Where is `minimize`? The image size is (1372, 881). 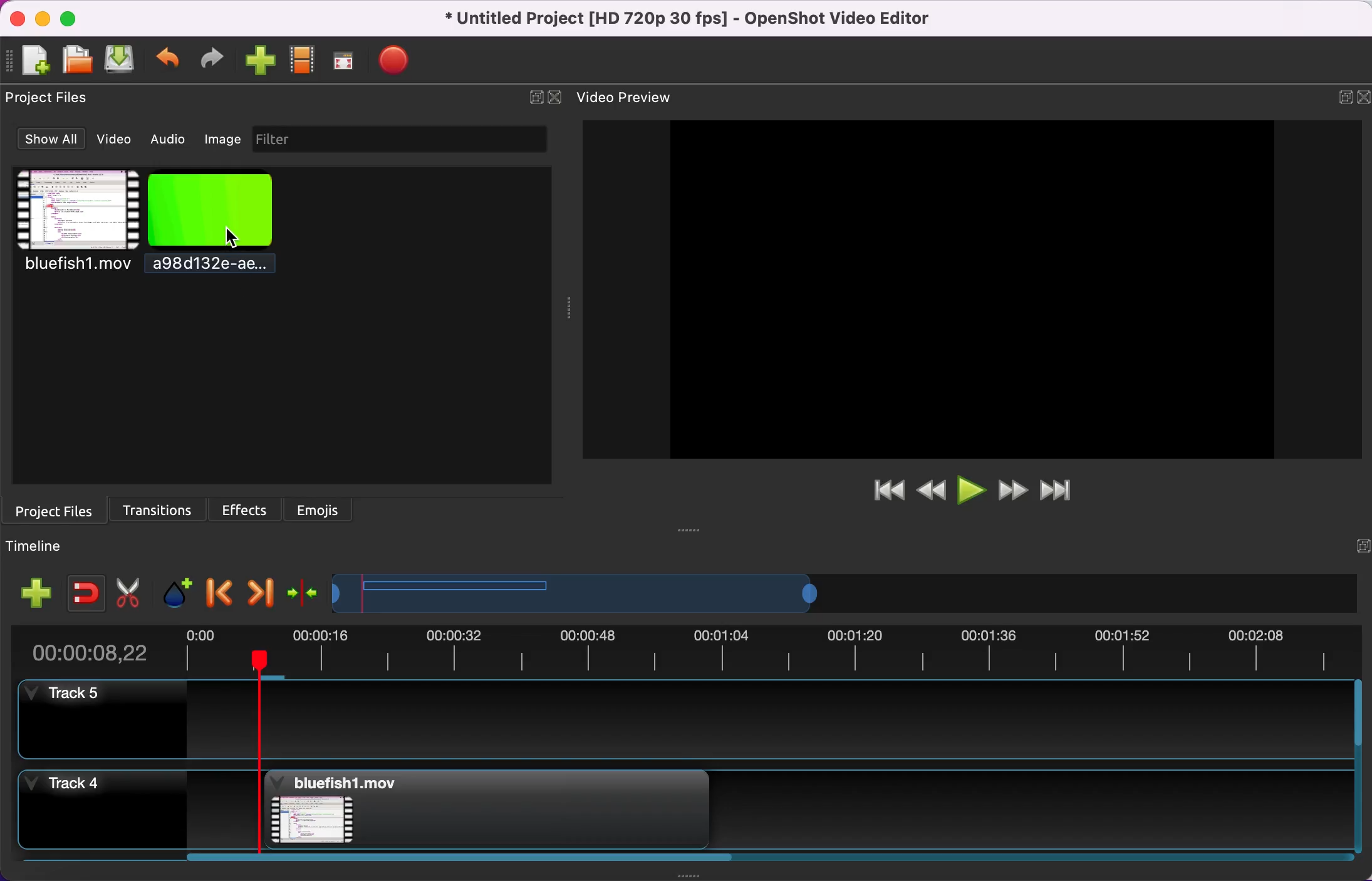
minimize is located at coordinates (42, 18).